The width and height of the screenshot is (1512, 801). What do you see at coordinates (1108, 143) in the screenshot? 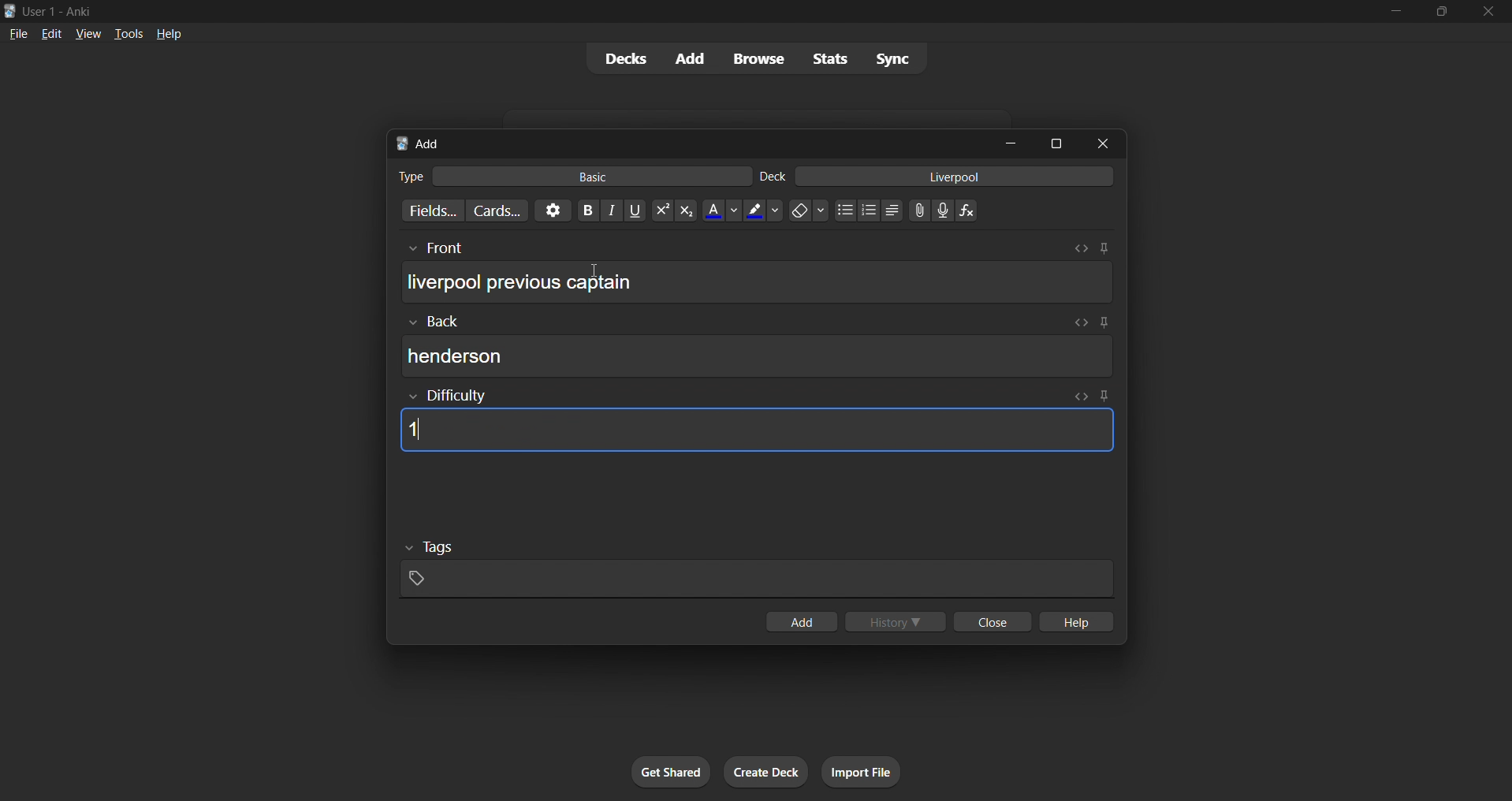
I see `close` at bounding box center [1108, 143].